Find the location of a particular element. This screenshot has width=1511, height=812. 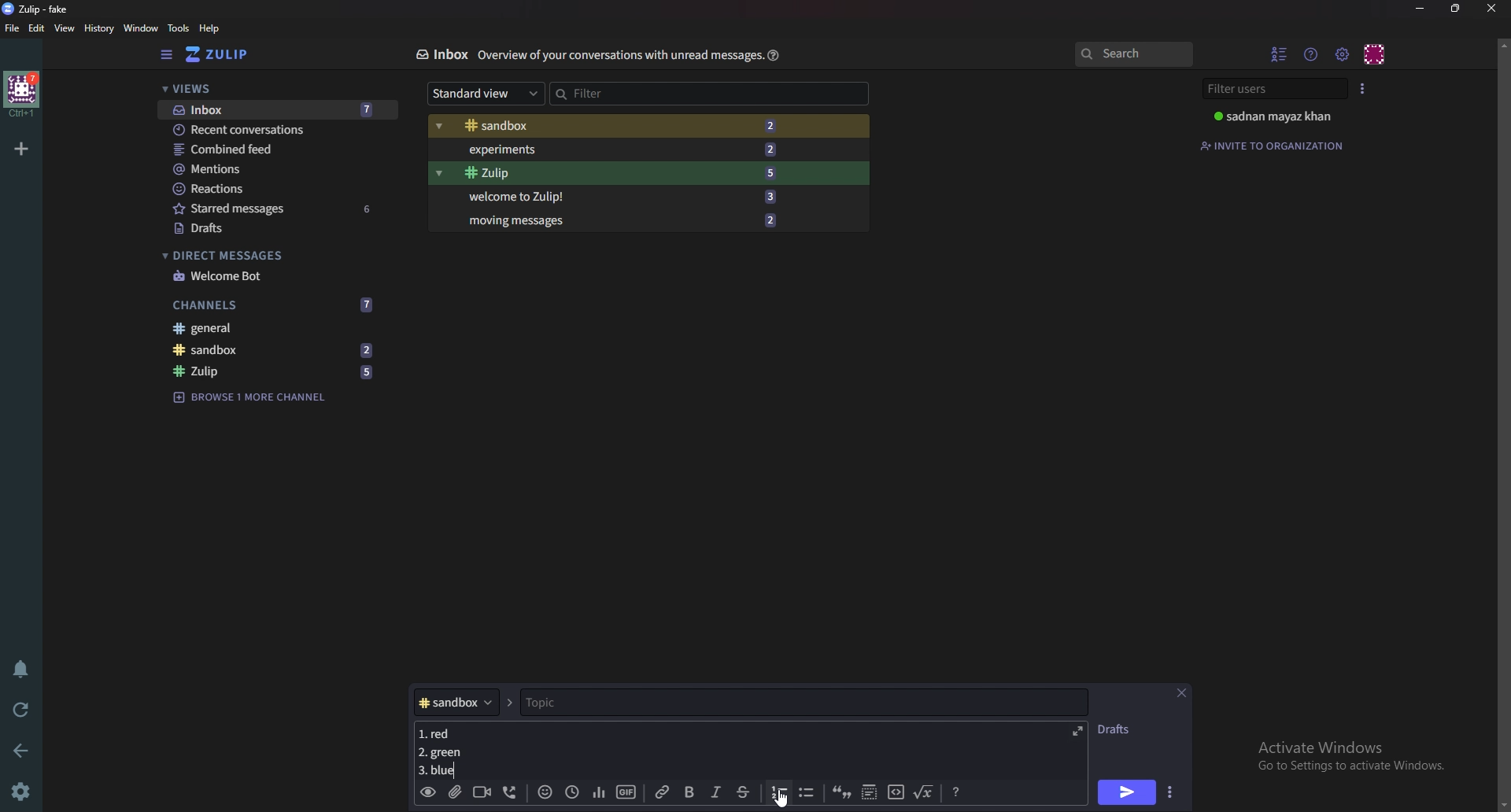

Tools is located at coordinates (178, 28).